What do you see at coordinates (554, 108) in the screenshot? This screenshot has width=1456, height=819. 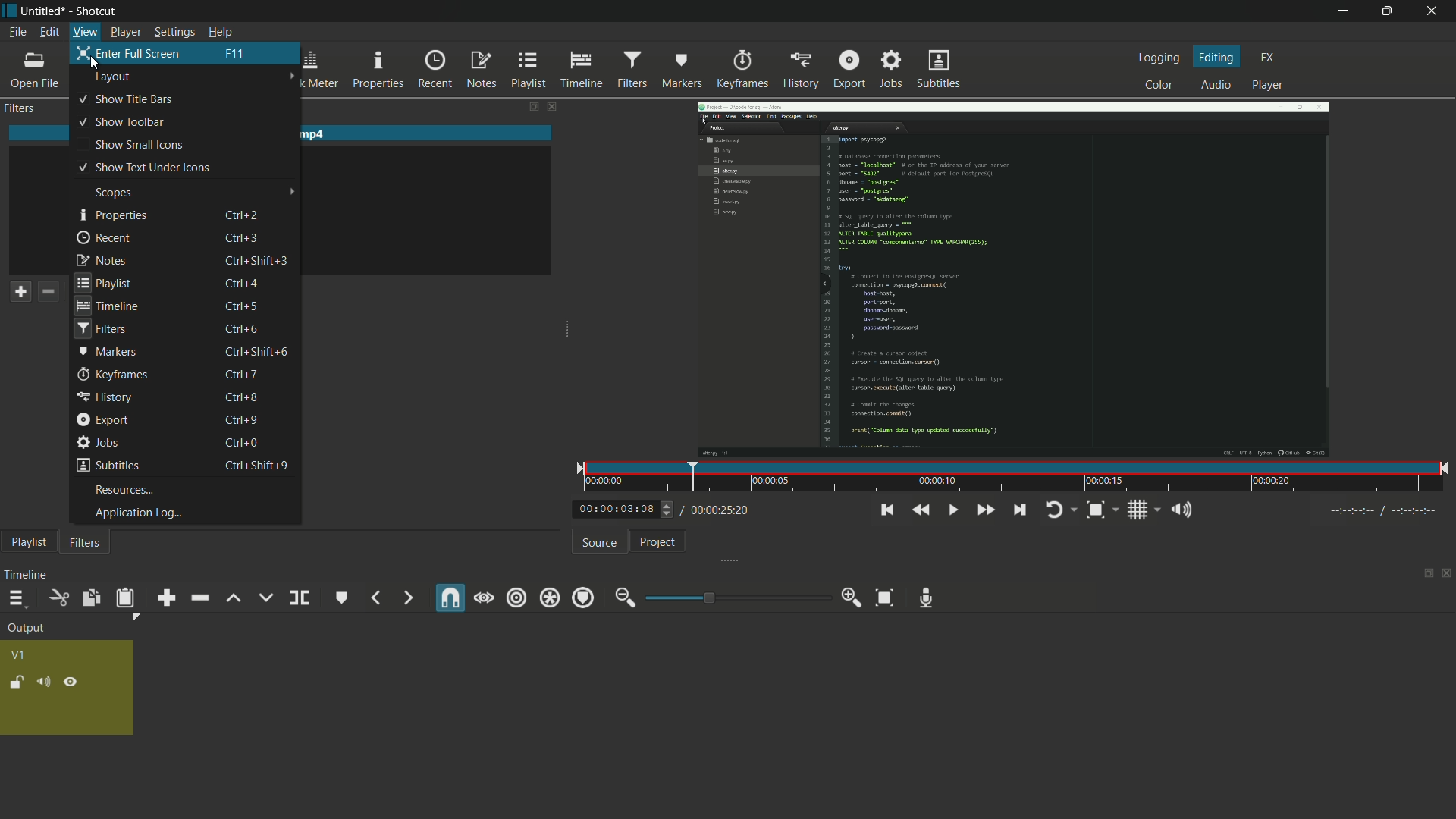 I see `close filters pane` at bounding box center [554, 108].